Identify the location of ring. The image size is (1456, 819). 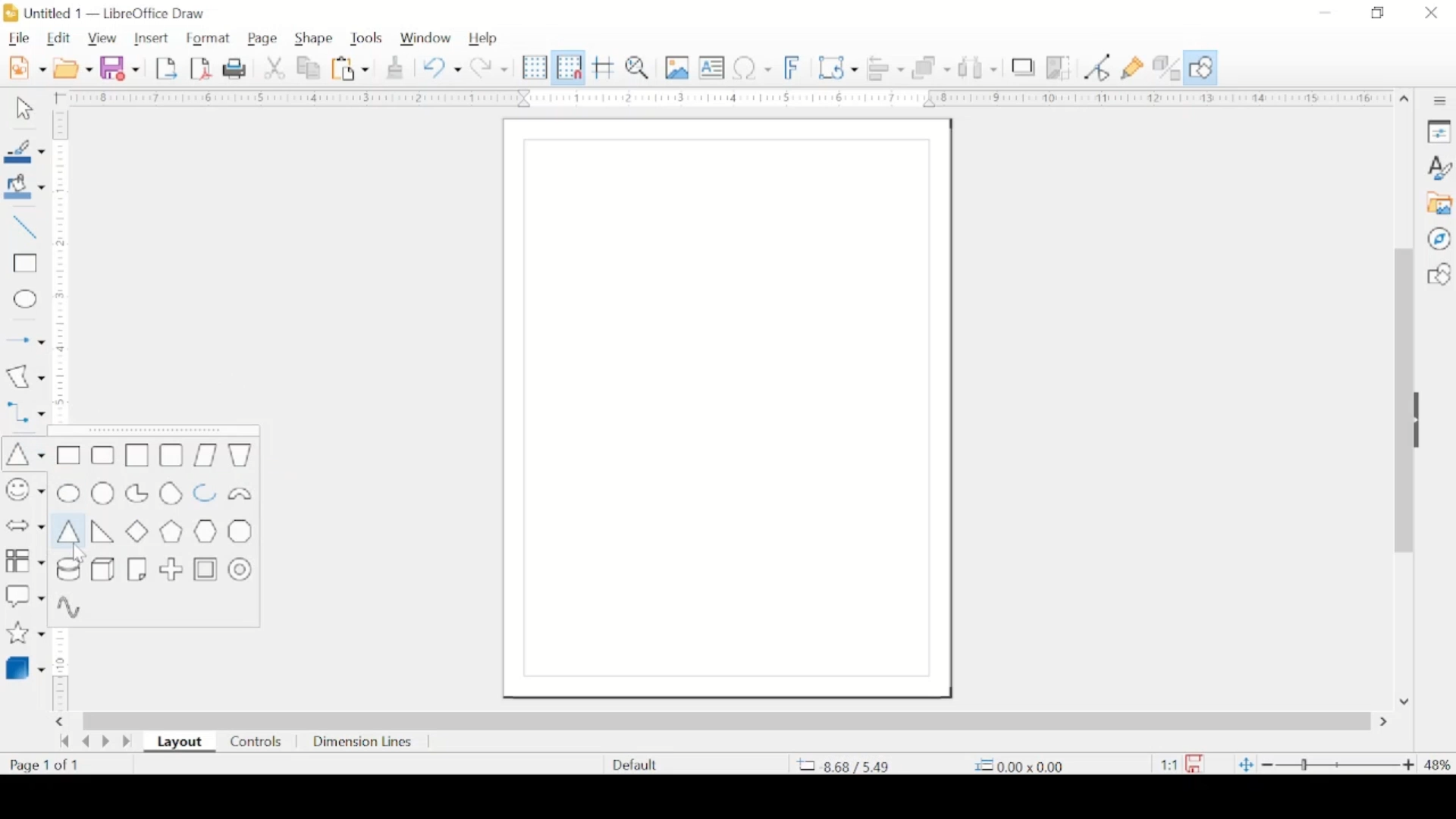
(240, 570).